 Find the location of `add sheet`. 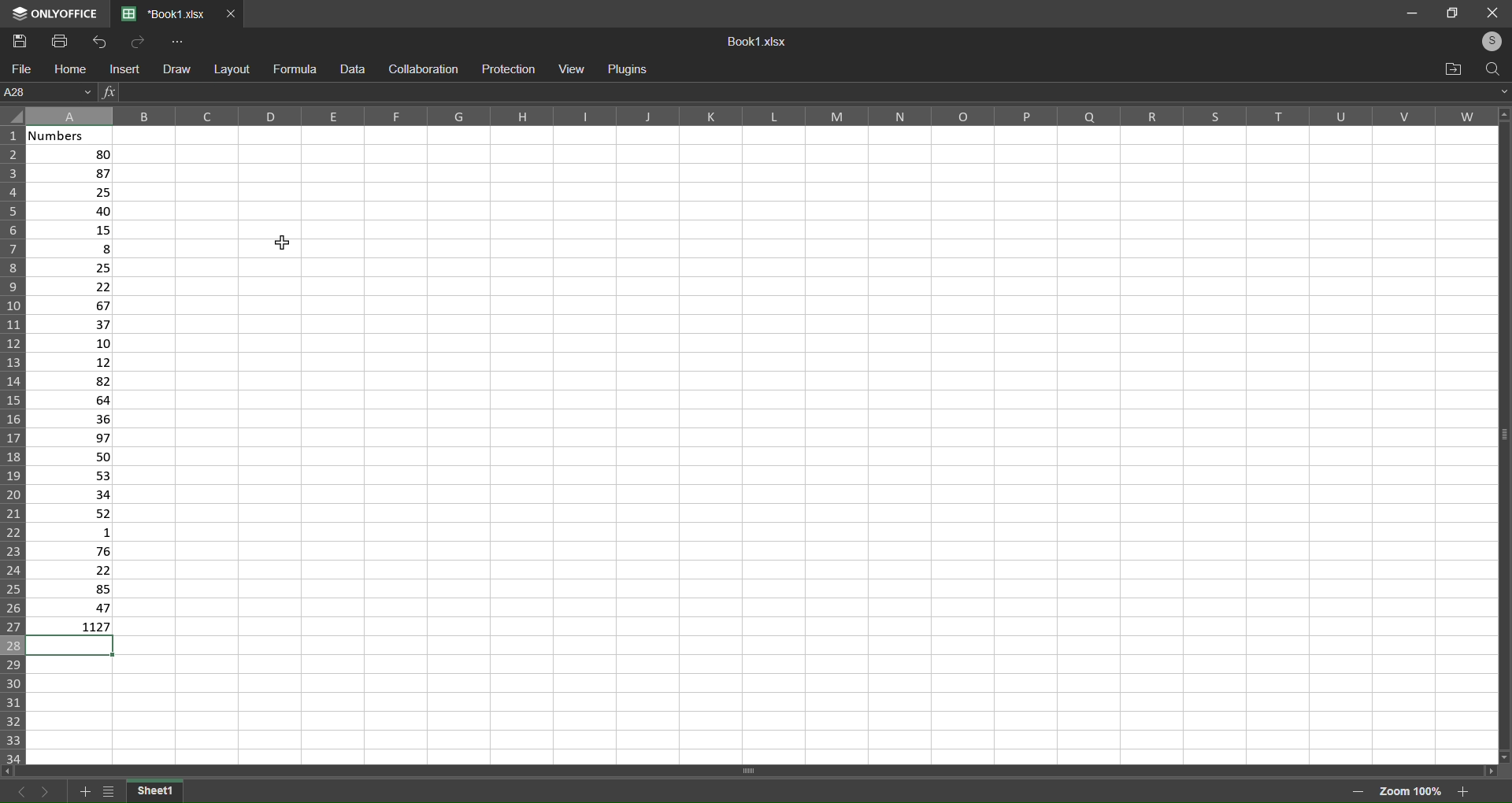

add sheet is located at coordinates (85, 791).